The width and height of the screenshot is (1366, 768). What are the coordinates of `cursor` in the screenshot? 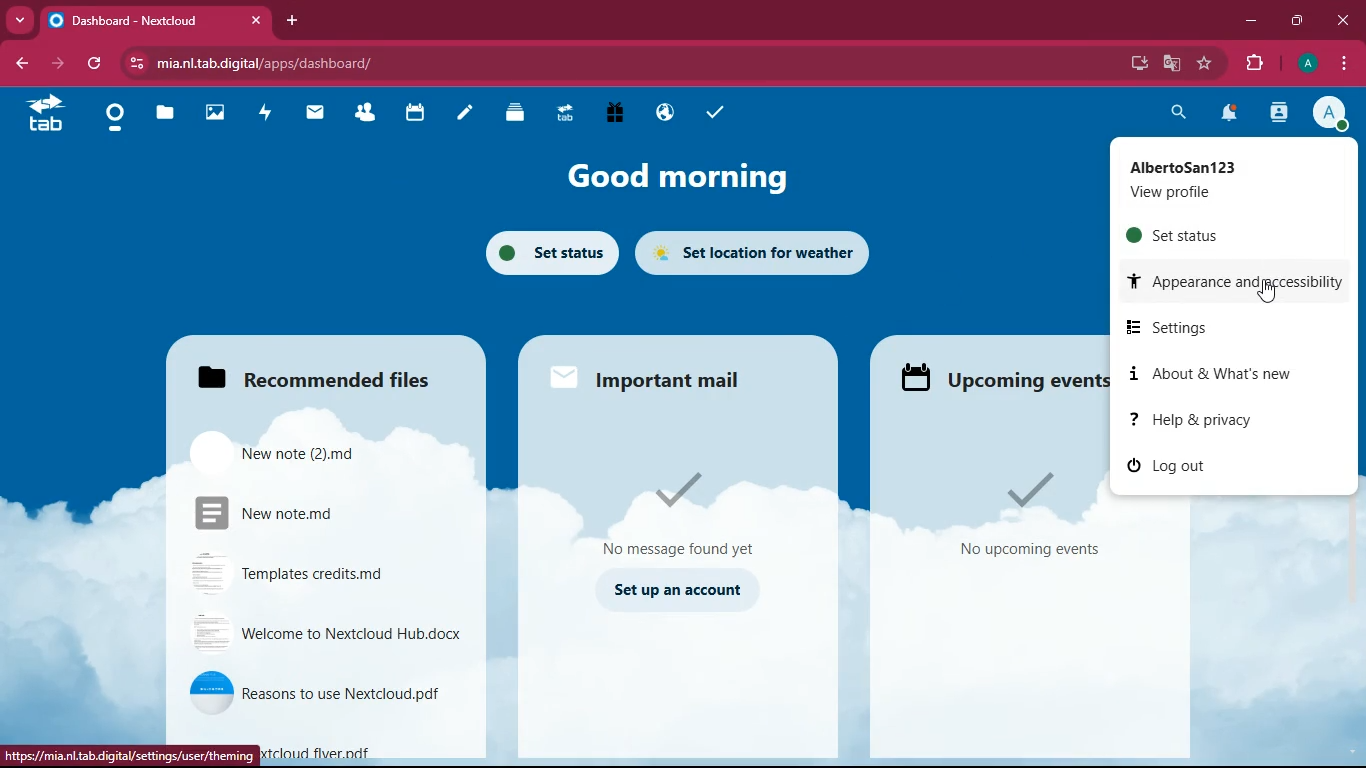 It's located at (1266, 292).